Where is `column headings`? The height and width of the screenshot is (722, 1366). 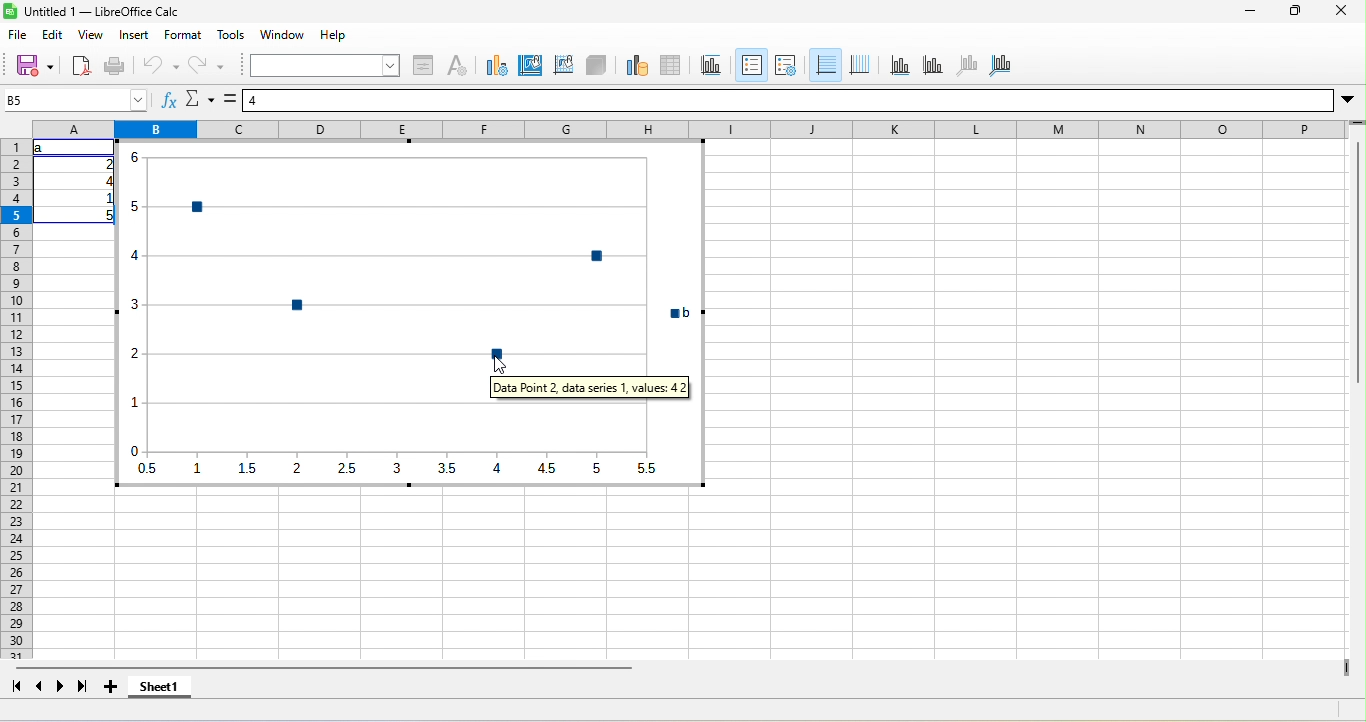 column headings is located at coordinates (690, 129).